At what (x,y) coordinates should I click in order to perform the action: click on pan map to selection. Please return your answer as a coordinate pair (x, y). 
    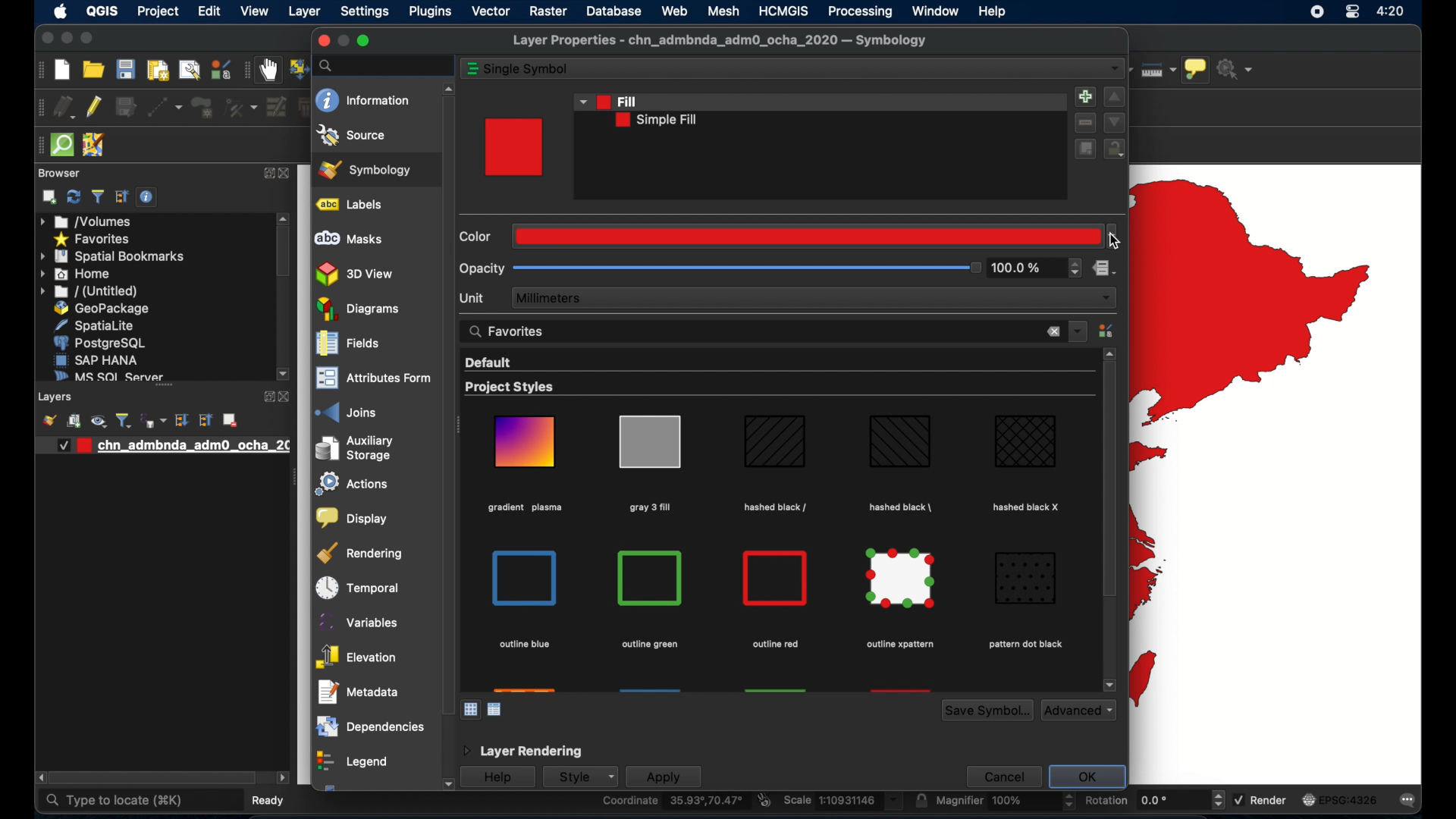
    Looking at the image, I should click on (297, 67).